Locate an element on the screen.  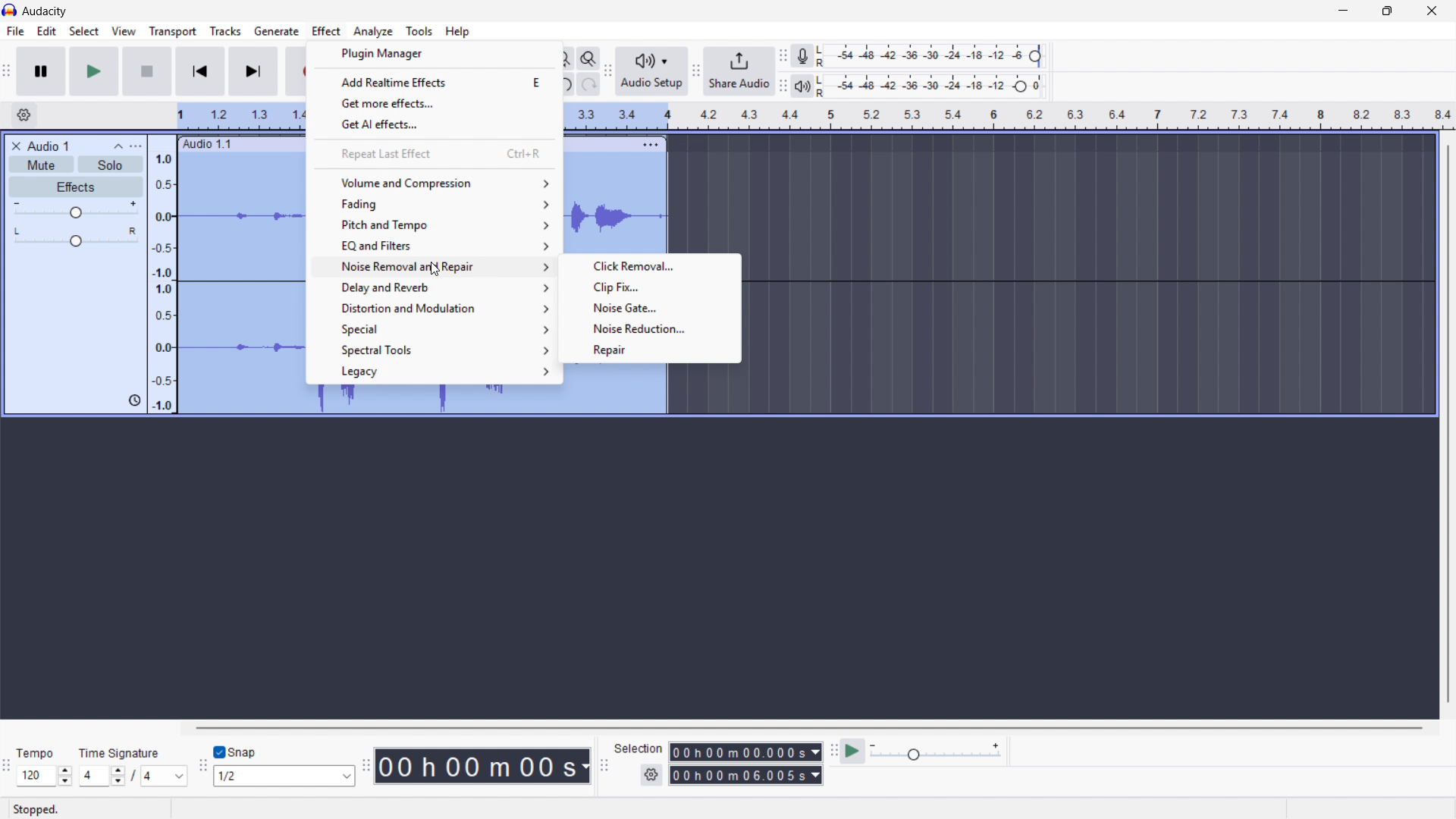
Set time signature is located at coordinates (133, 765).